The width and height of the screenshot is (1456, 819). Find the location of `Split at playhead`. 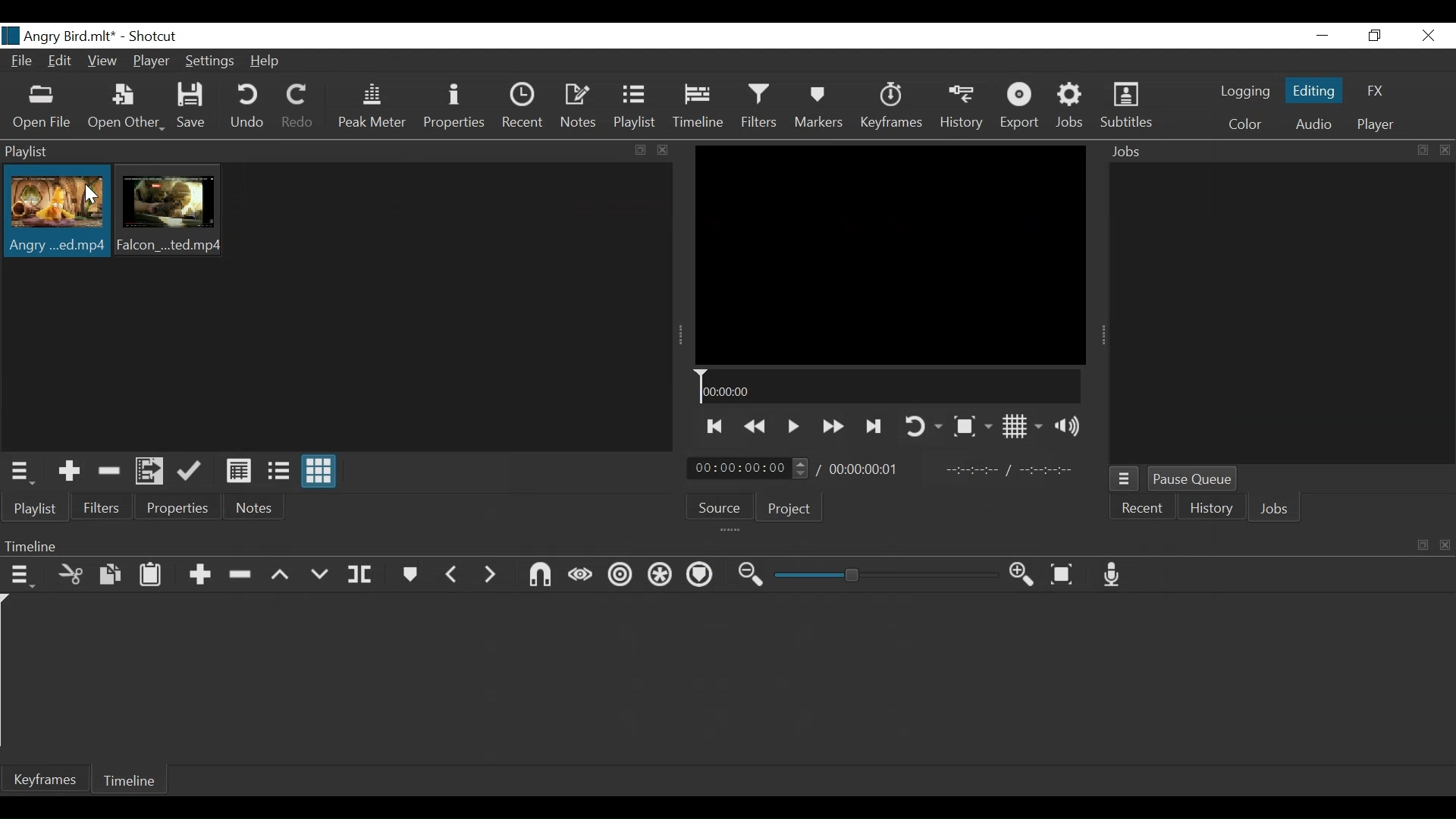

Split at playhead is located at coordinates (362, 576).